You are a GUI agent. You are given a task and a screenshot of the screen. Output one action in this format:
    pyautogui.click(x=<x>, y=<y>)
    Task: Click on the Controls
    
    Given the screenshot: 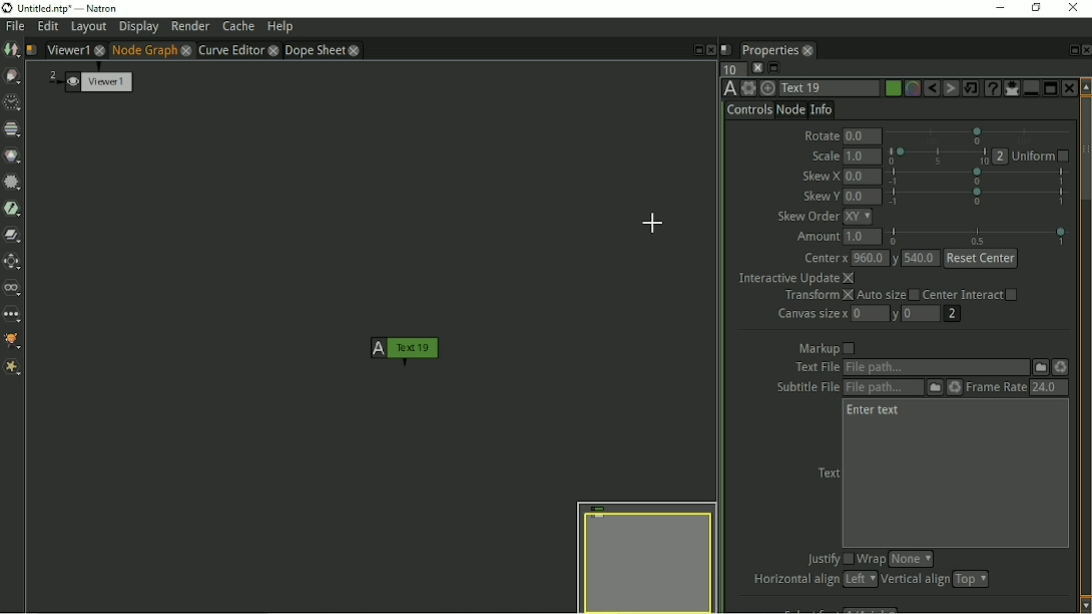 What is the action you would take?
    pyautogui.click(x=749, y=111)
    